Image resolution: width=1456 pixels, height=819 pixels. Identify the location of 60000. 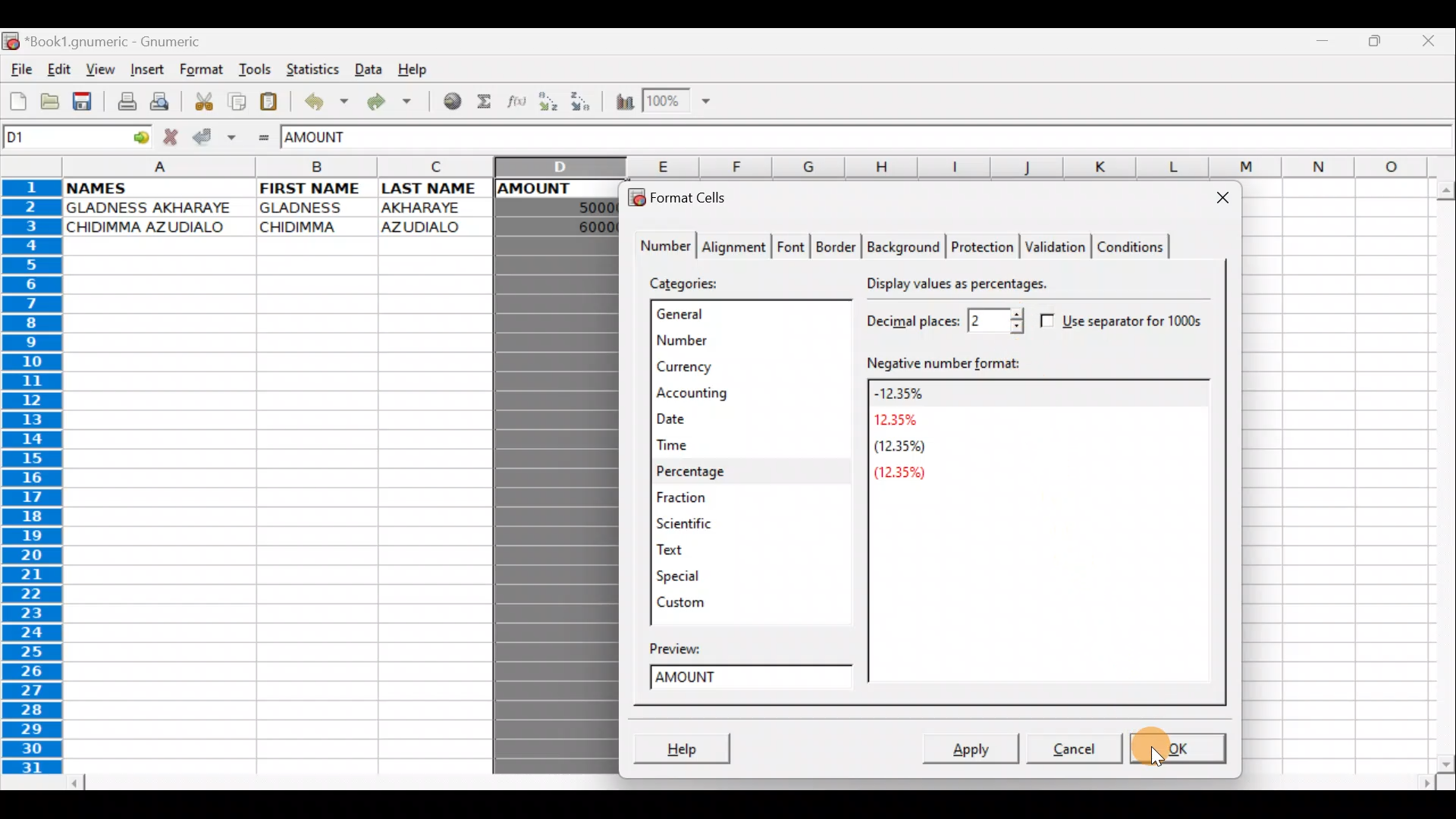
(585, 227).